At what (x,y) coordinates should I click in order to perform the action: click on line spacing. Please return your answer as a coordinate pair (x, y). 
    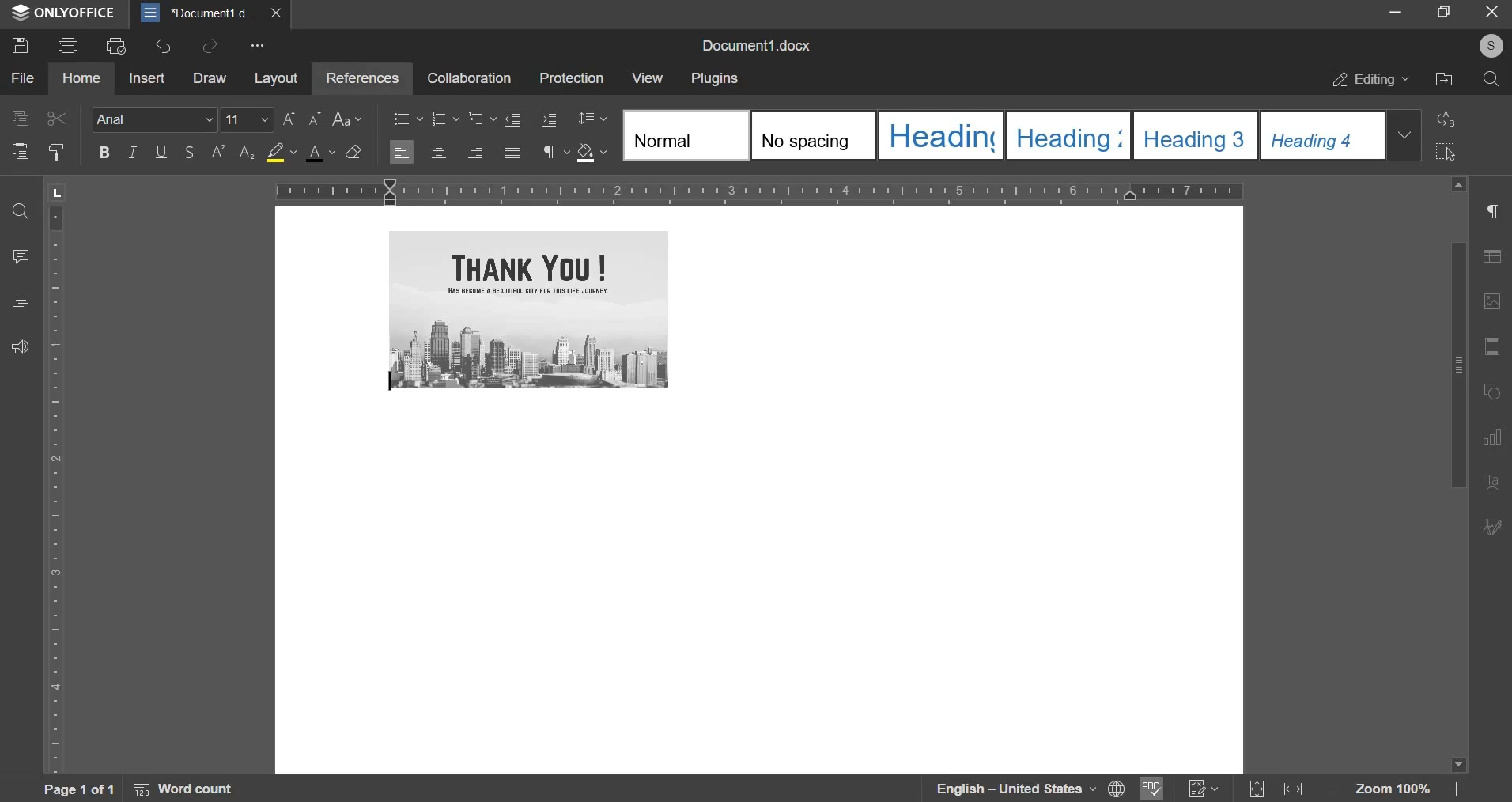
    Looking at the image, I should click on (591, 117).